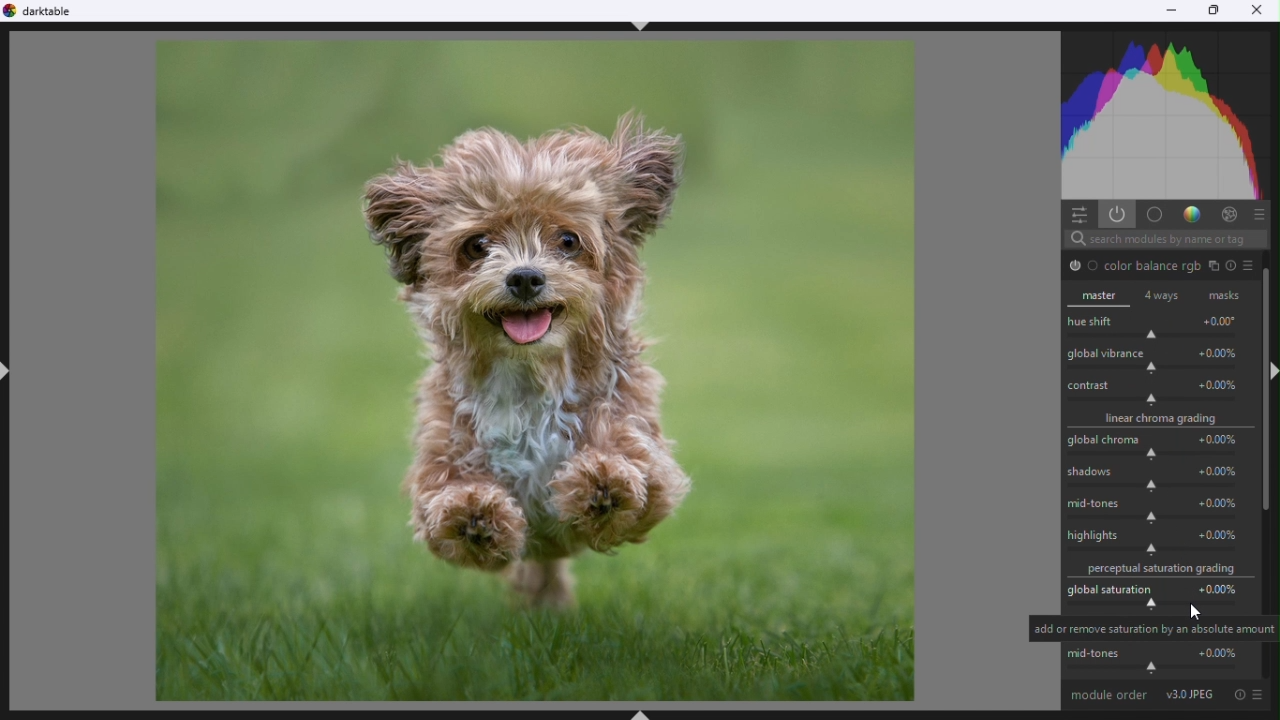  I want to click on Linear Croma grading, so click(1160, 421).